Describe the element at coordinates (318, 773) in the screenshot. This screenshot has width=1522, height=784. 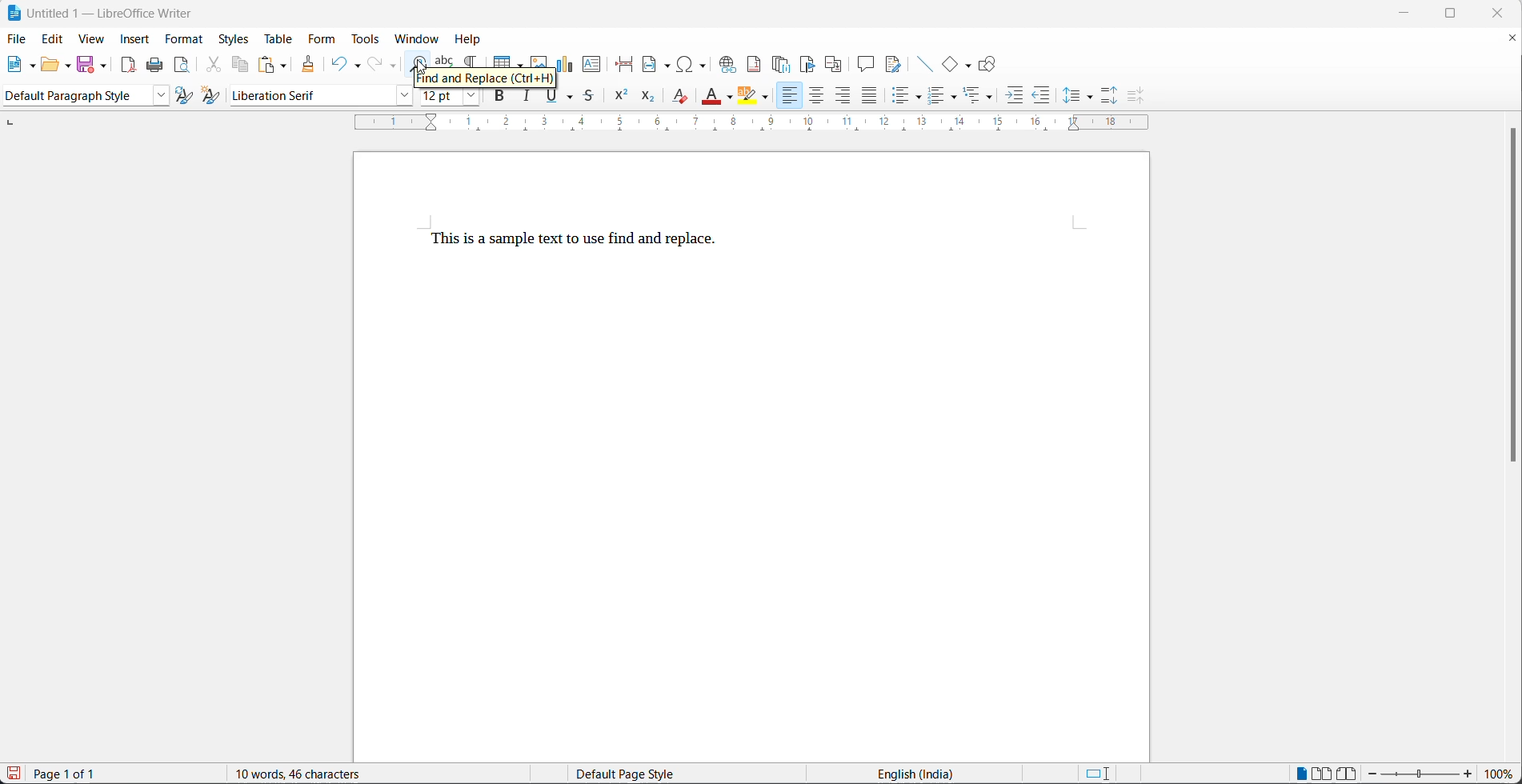
I see `10 words, 46 characters` at that location.